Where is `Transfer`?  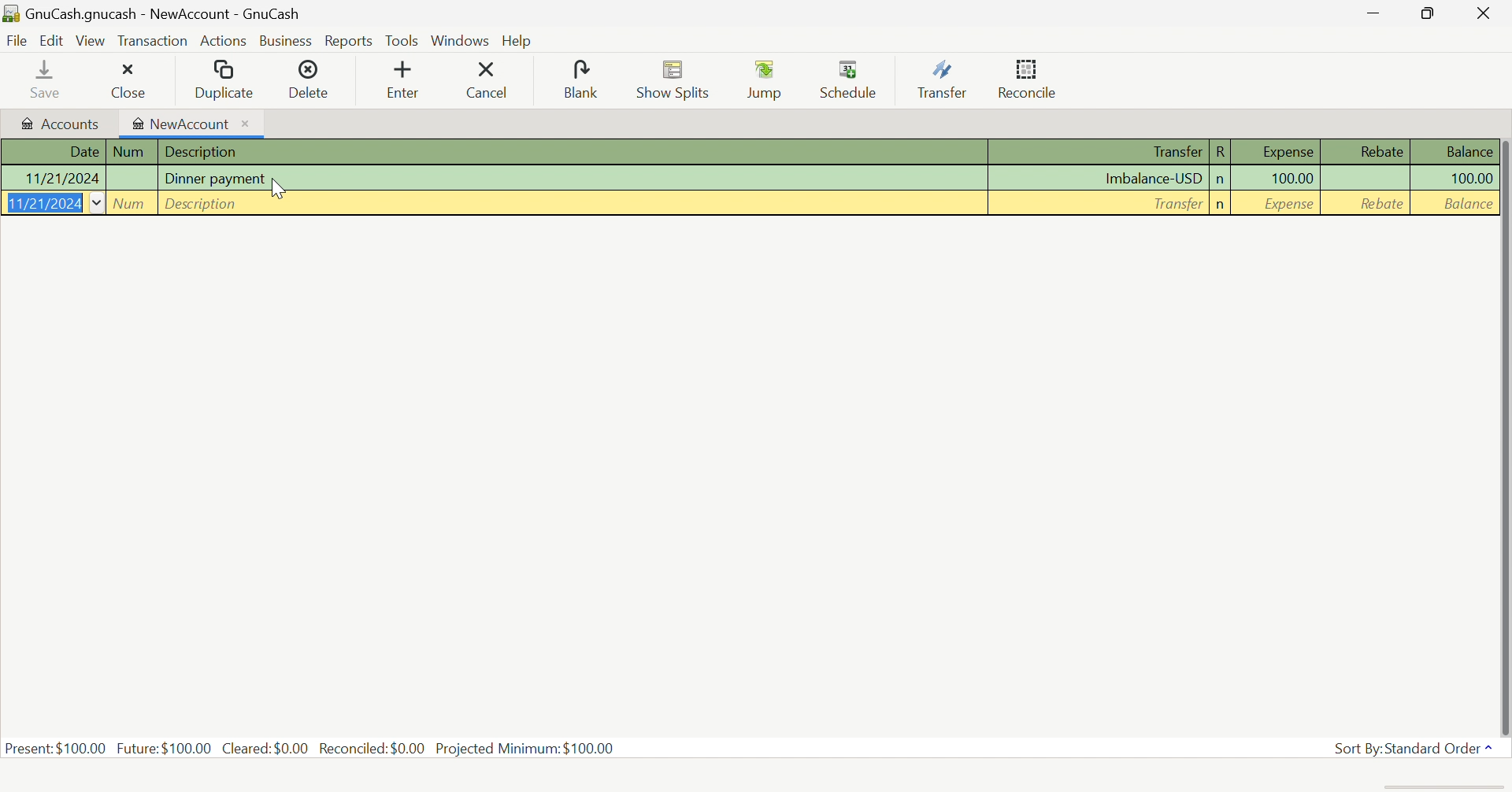
Transfer is located at coordinates (1174, 205).